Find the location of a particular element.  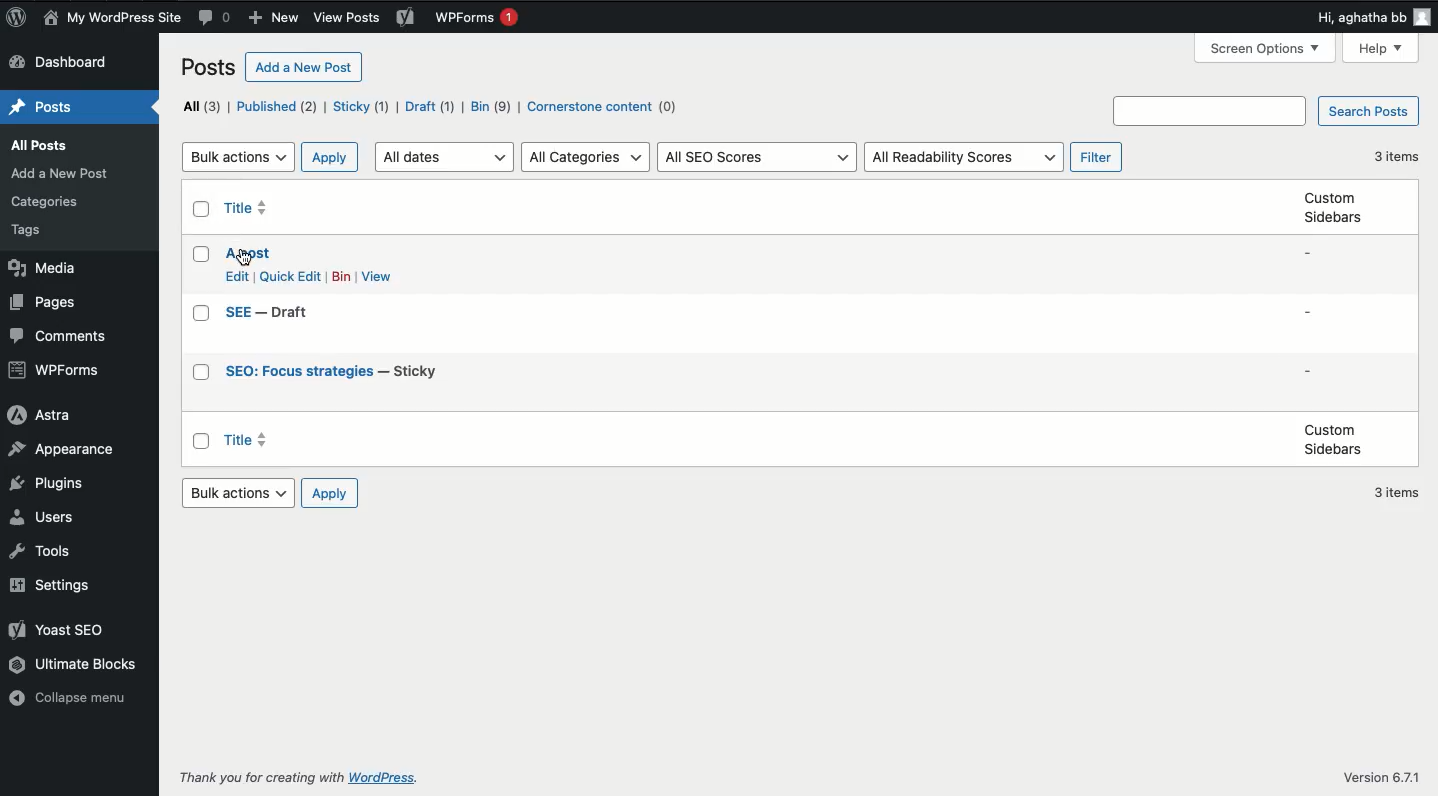

Quick edit is located at coordinates (288, 278).